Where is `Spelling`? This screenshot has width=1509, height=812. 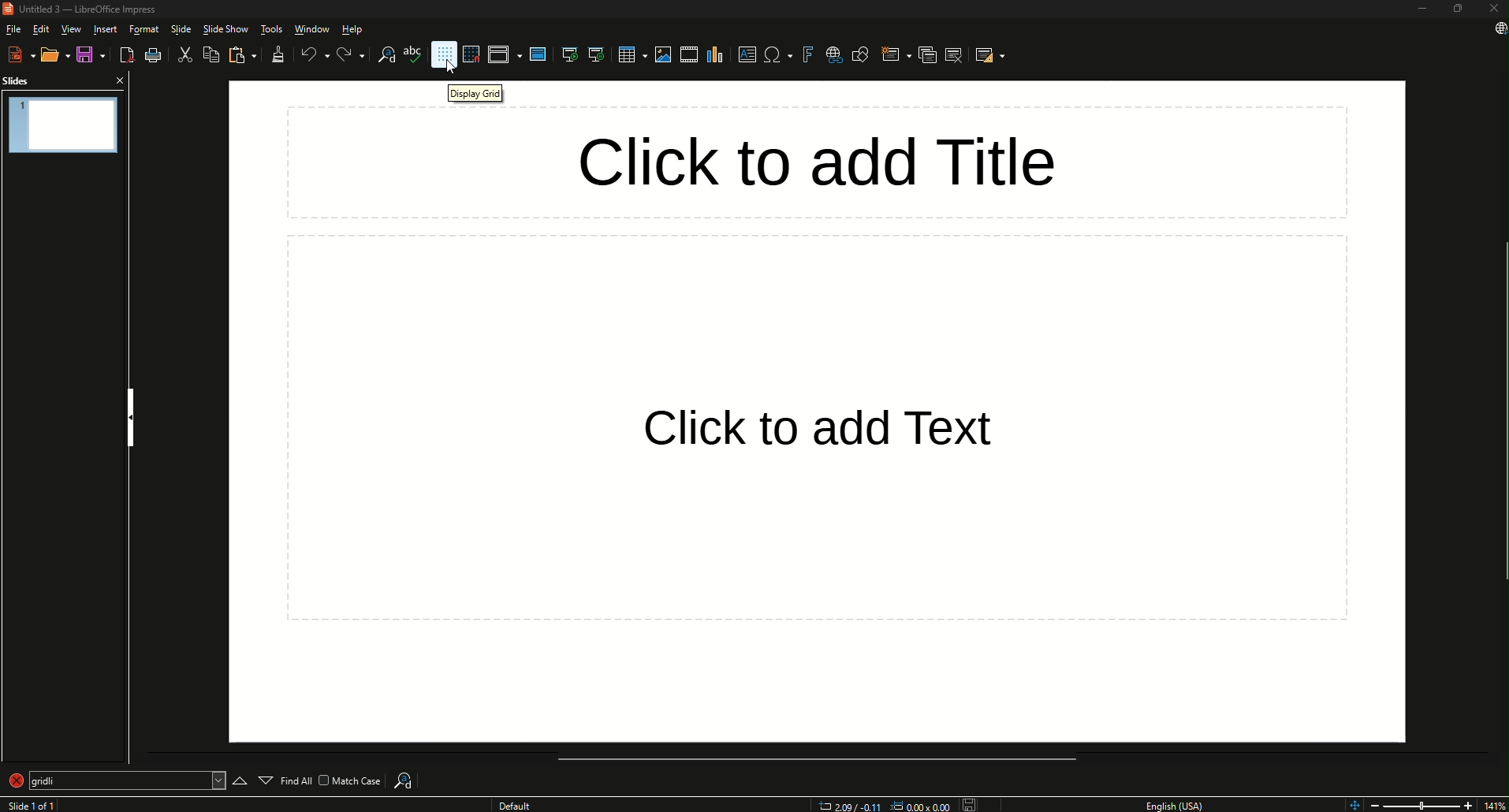 Spelling is located at coordinates (411, 58).